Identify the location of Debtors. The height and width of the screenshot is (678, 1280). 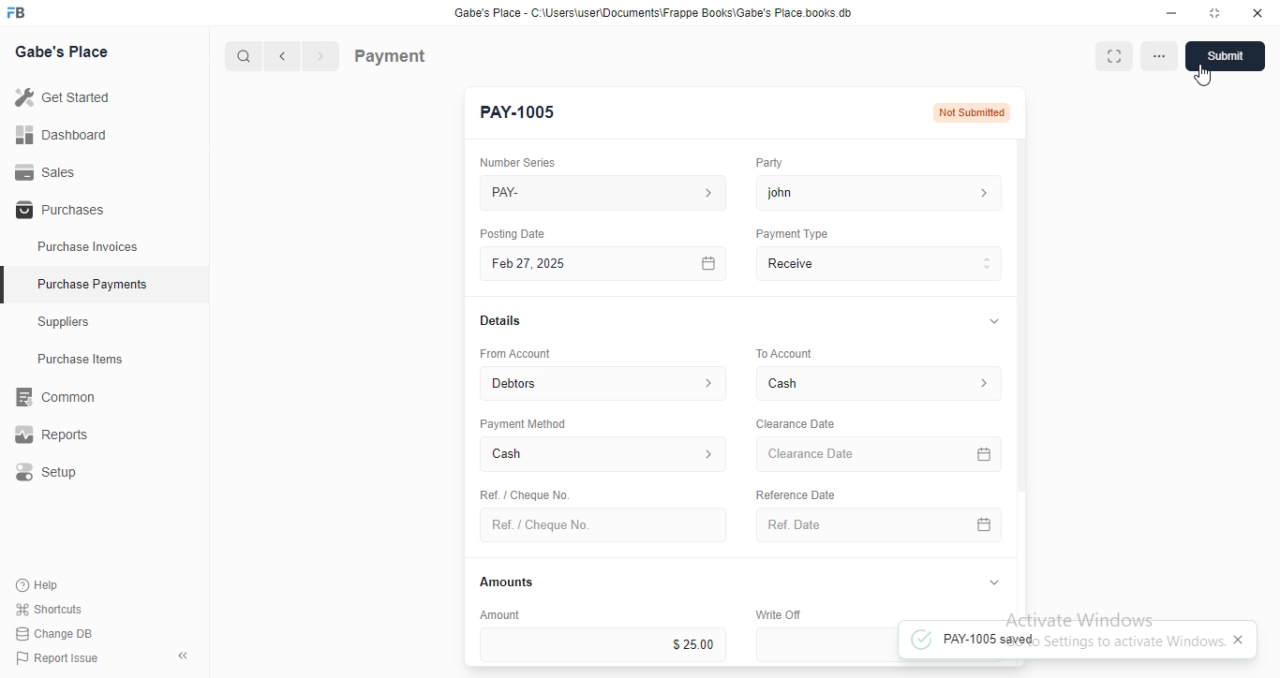
(605, 382).